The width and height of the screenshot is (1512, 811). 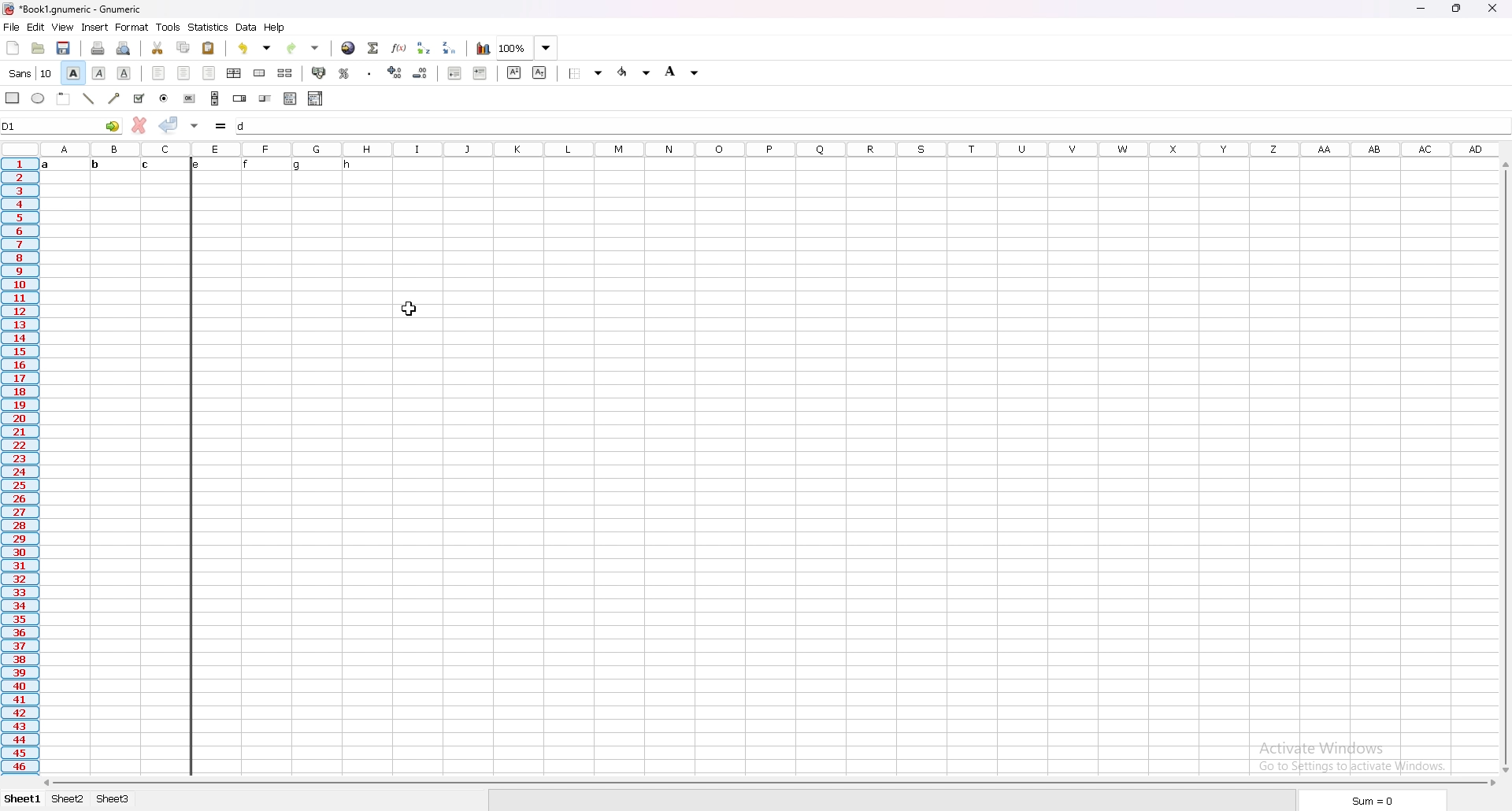 What do you see at coordinates (39, 98) in the screenshot?
I see `ellipse` at bounding box center [39, 98].